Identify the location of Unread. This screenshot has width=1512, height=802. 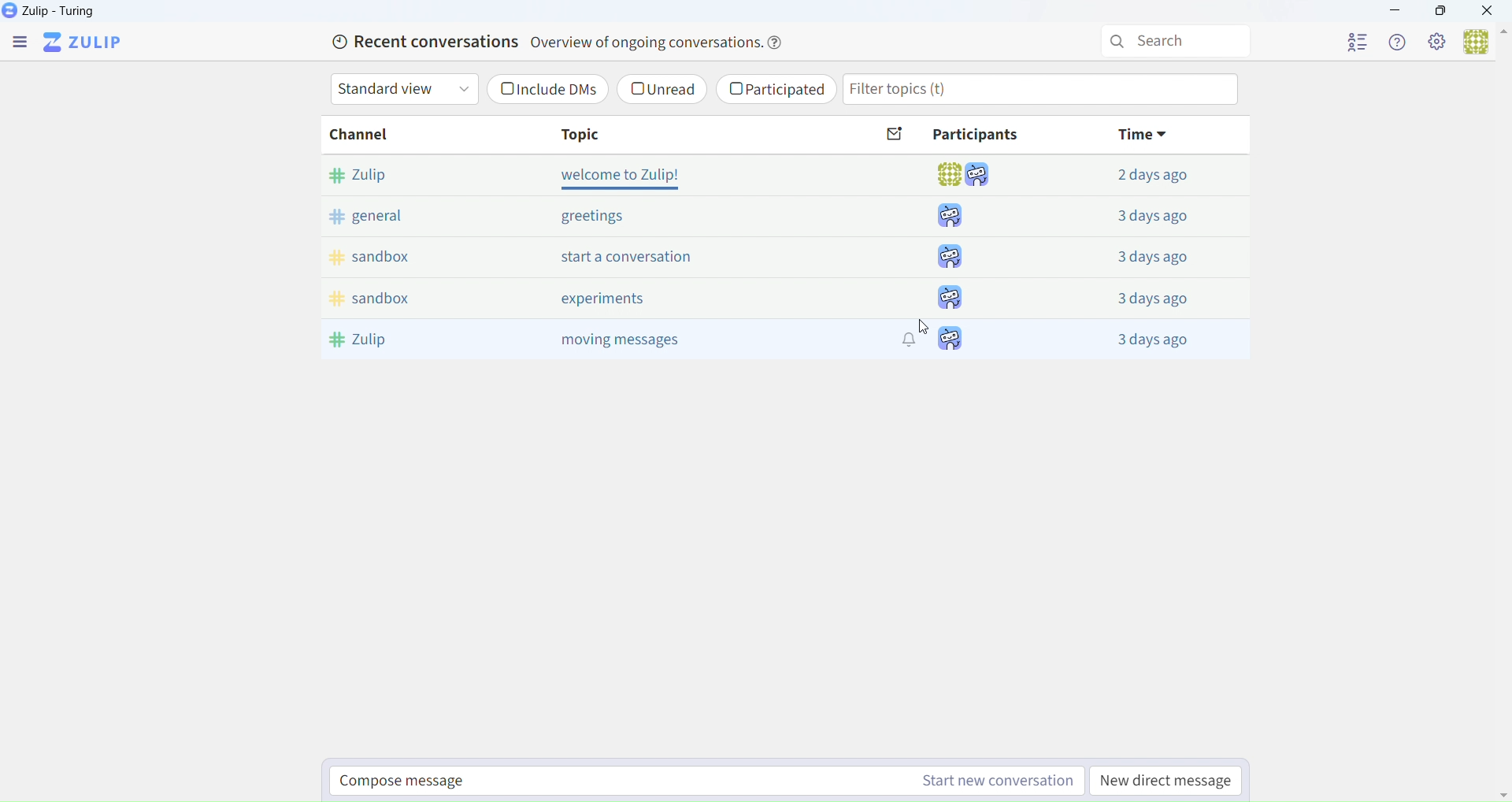
(668, 89).